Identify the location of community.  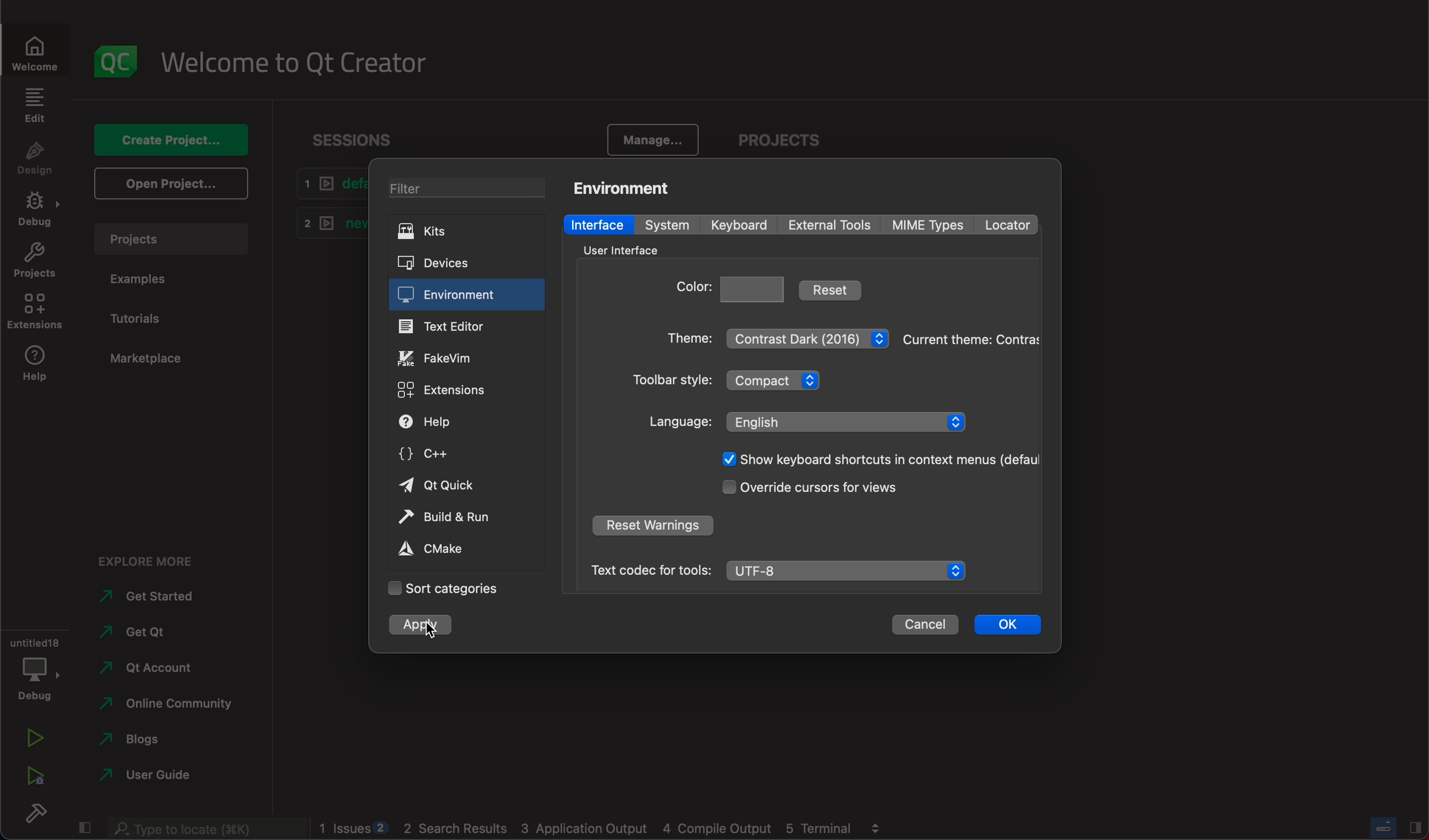
(166, 705).